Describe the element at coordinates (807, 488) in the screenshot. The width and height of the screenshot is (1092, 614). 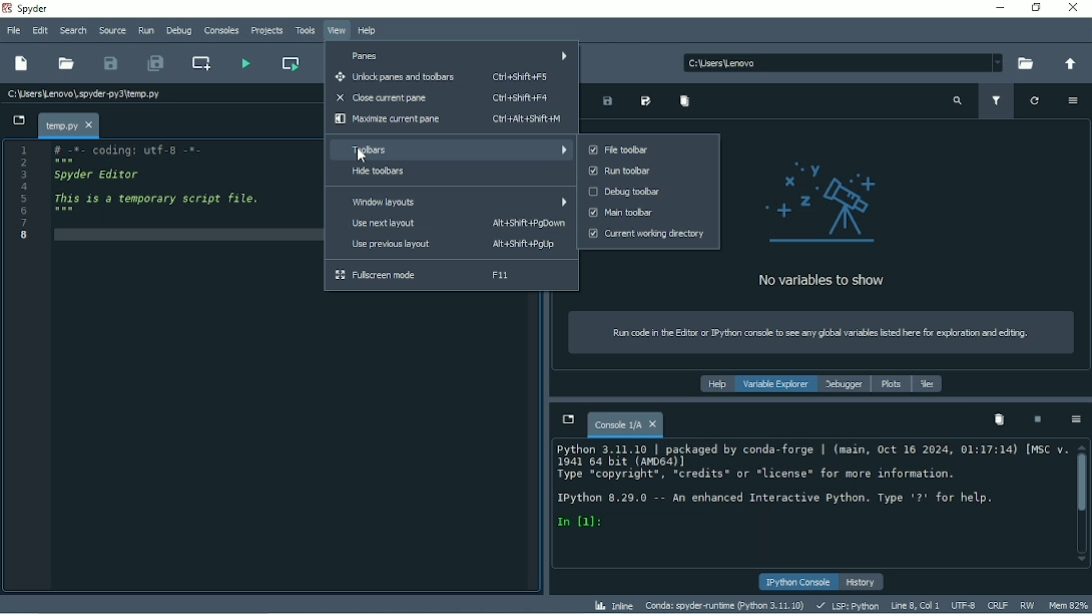
I see `Console` at that location.